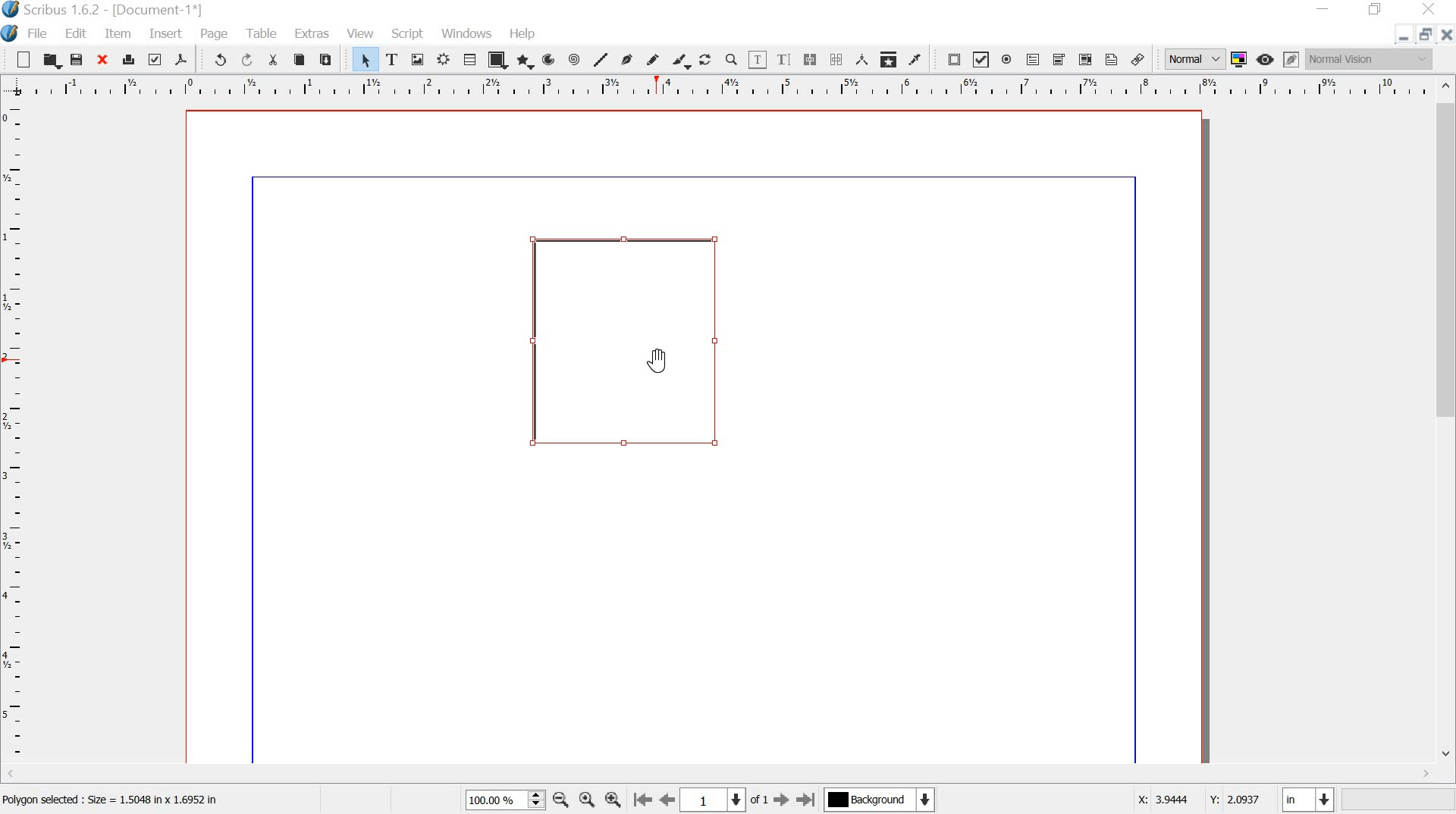  What do you see at coordinates (882, 801) in the screenshot?
I see `Background` at bounding box center [882, 801].